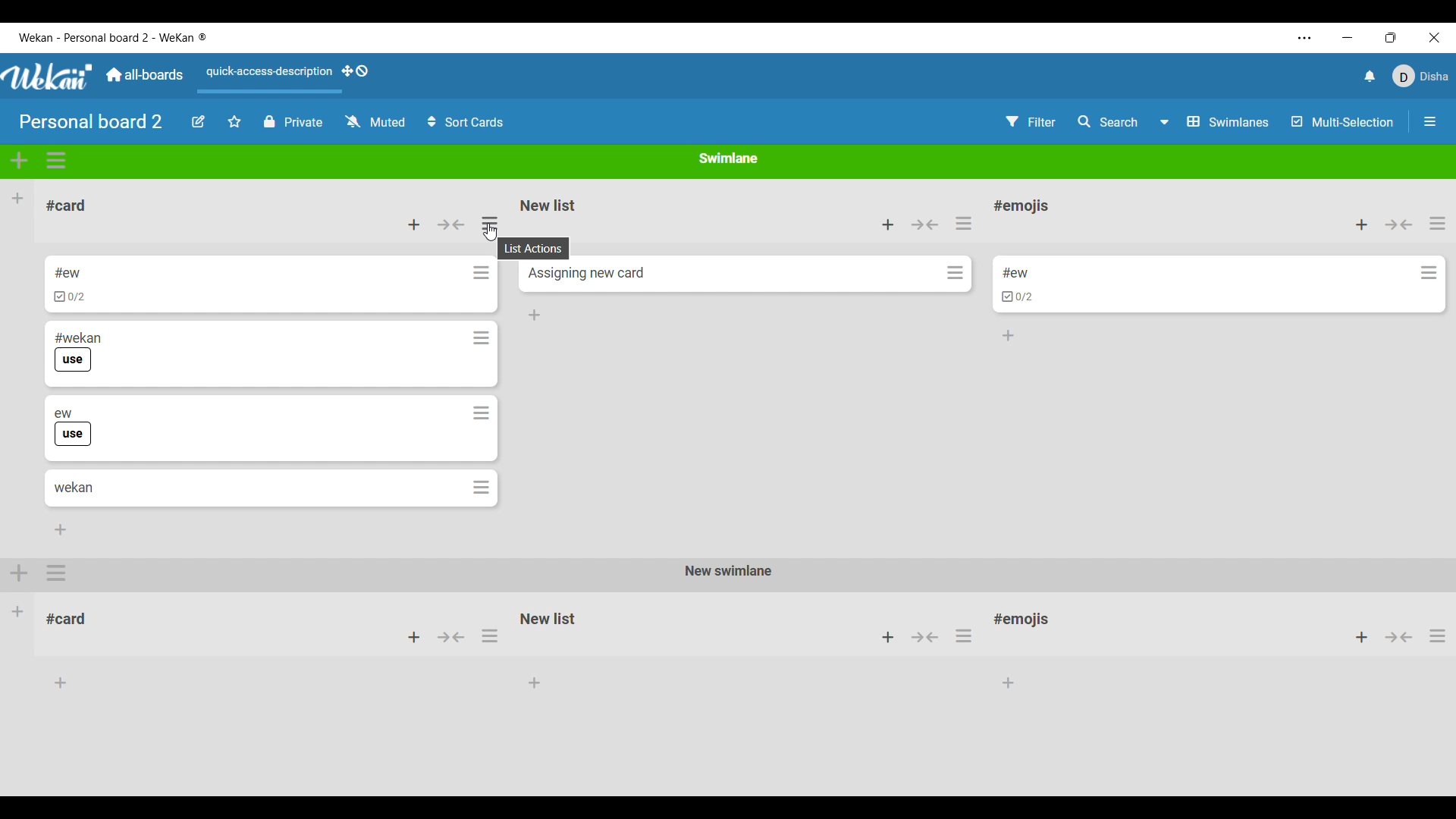 The height and width of the screenshot is (819, 1456). Describe the element at coordinates (19, 161) in the screenshot. I see `Add swimlane` at that location.